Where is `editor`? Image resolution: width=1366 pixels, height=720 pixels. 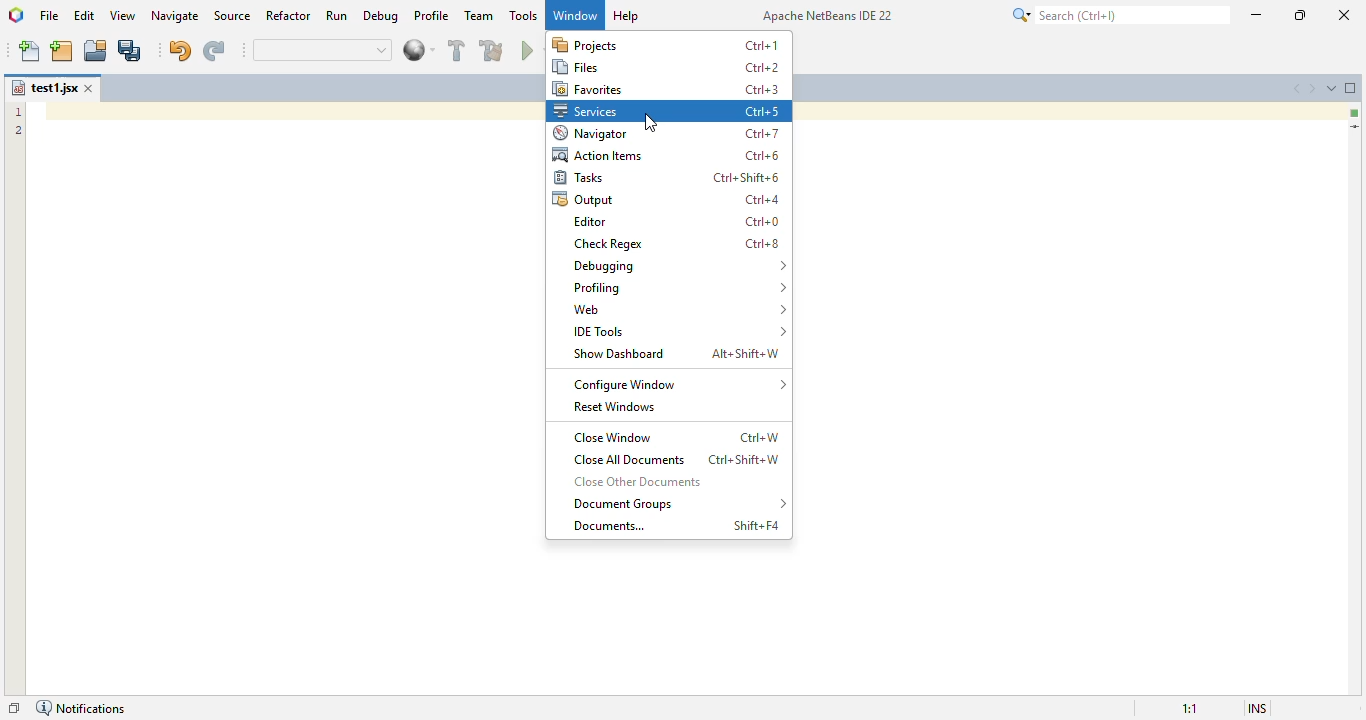 editor is located at coordinates (589, 221).